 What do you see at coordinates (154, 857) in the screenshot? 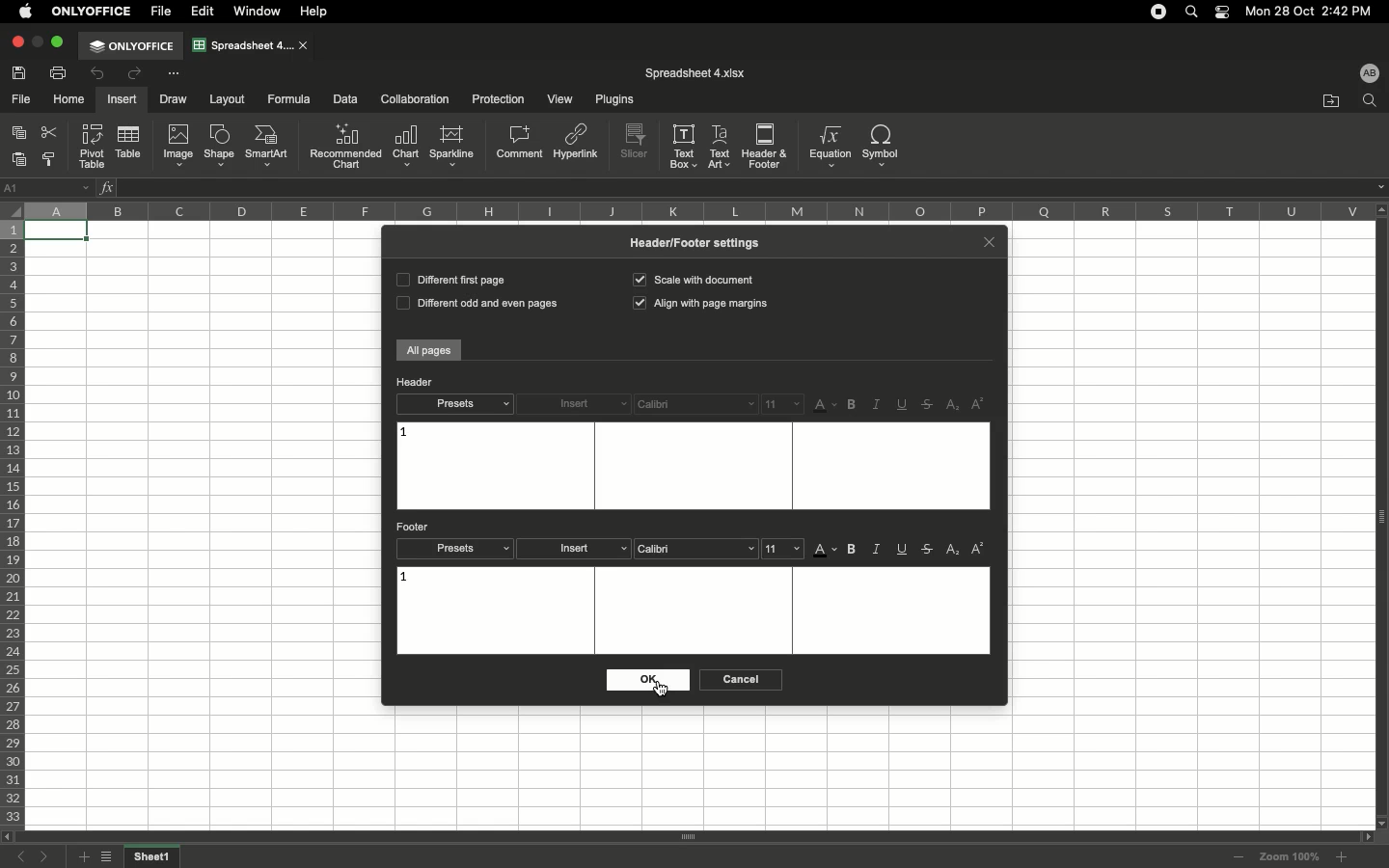
I see `Sheet name` at bounding box center [154, 857].